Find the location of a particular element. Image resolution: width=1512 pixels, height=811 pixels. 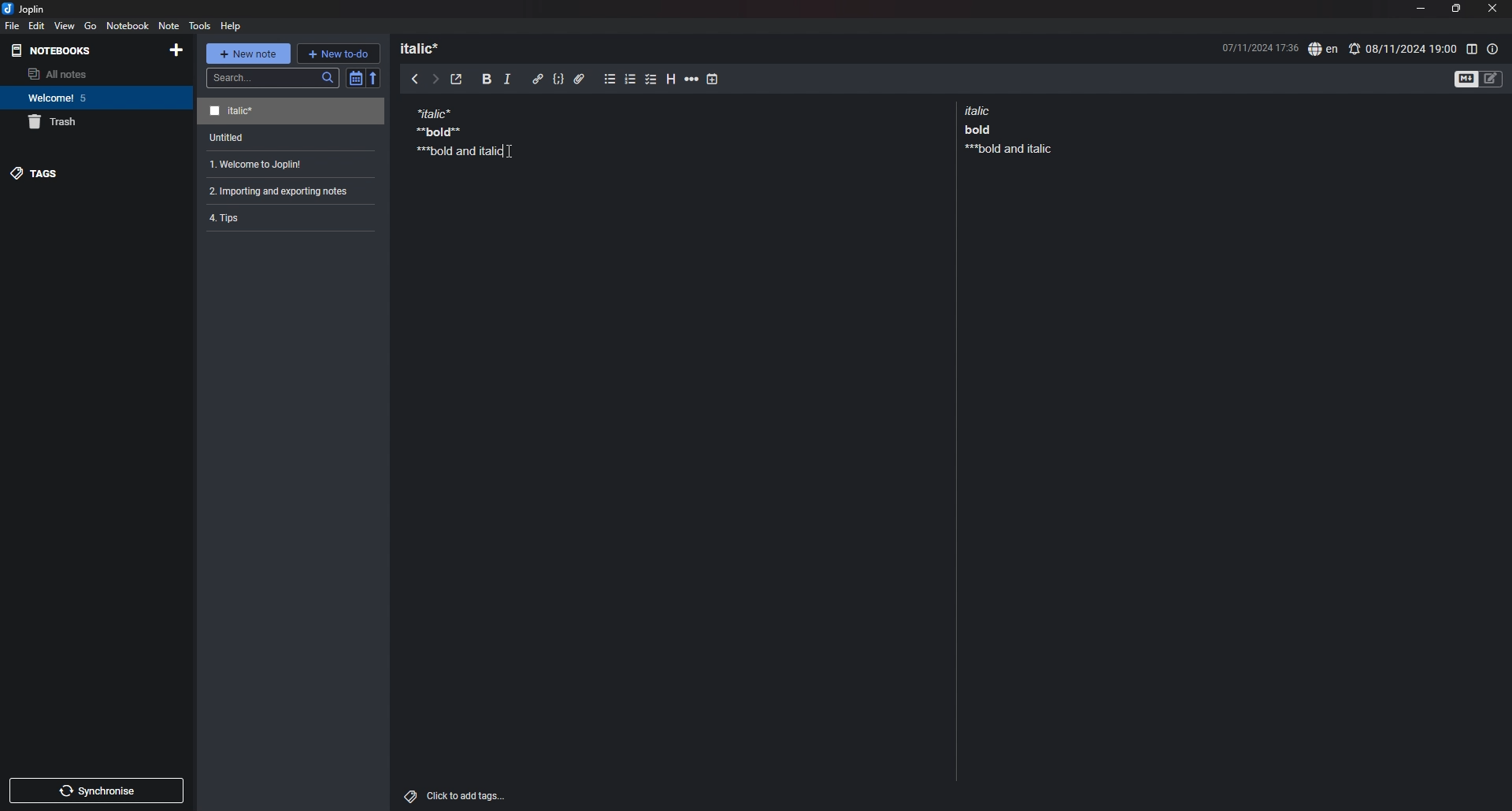

add tags is located at coordinates (457, 796).